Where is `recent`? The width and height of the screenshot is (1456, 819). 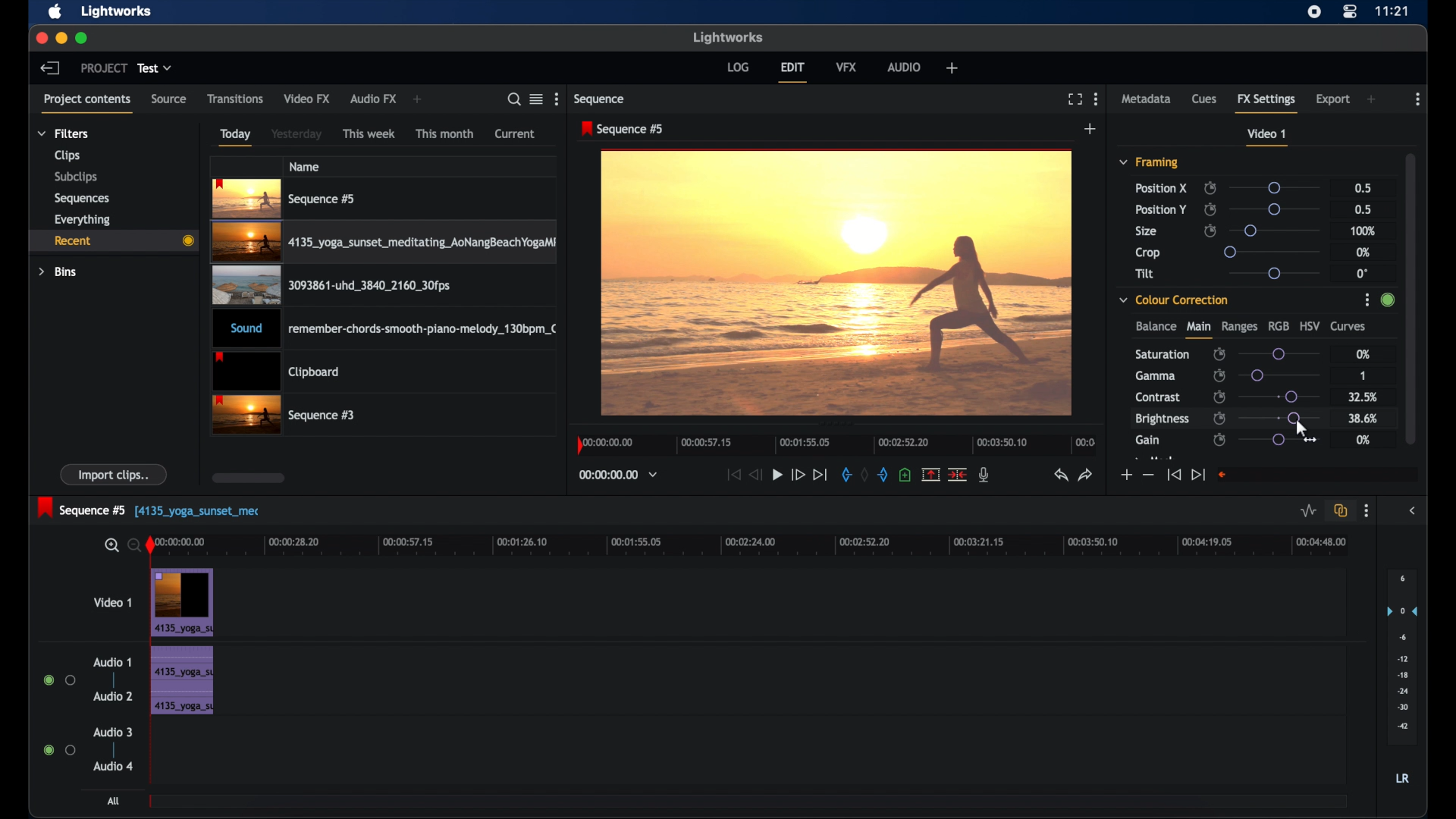 recent is located at coordinates (112, 241).